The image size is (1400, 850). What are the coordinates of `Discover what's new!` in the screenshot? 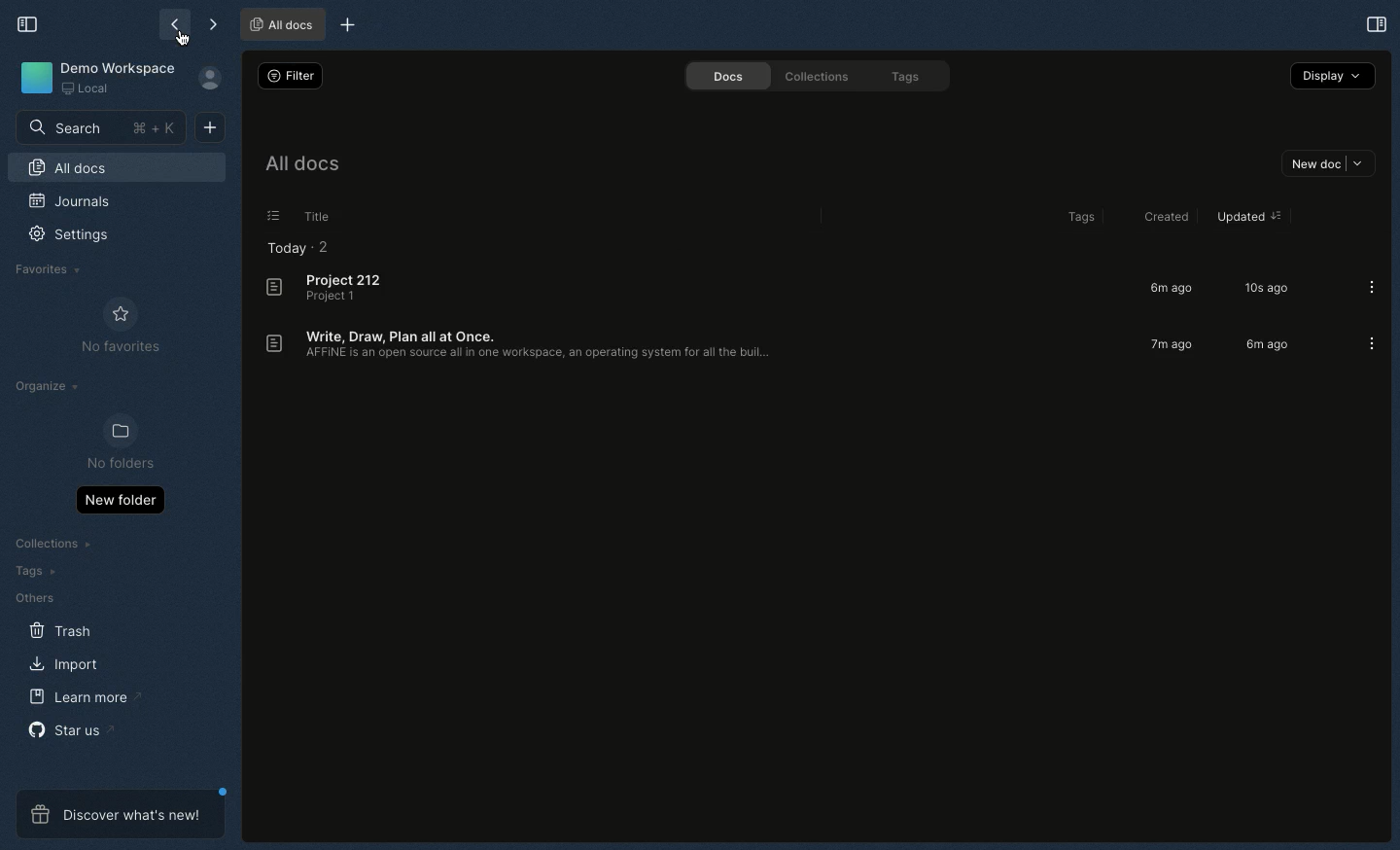 It's located at (114, 816).